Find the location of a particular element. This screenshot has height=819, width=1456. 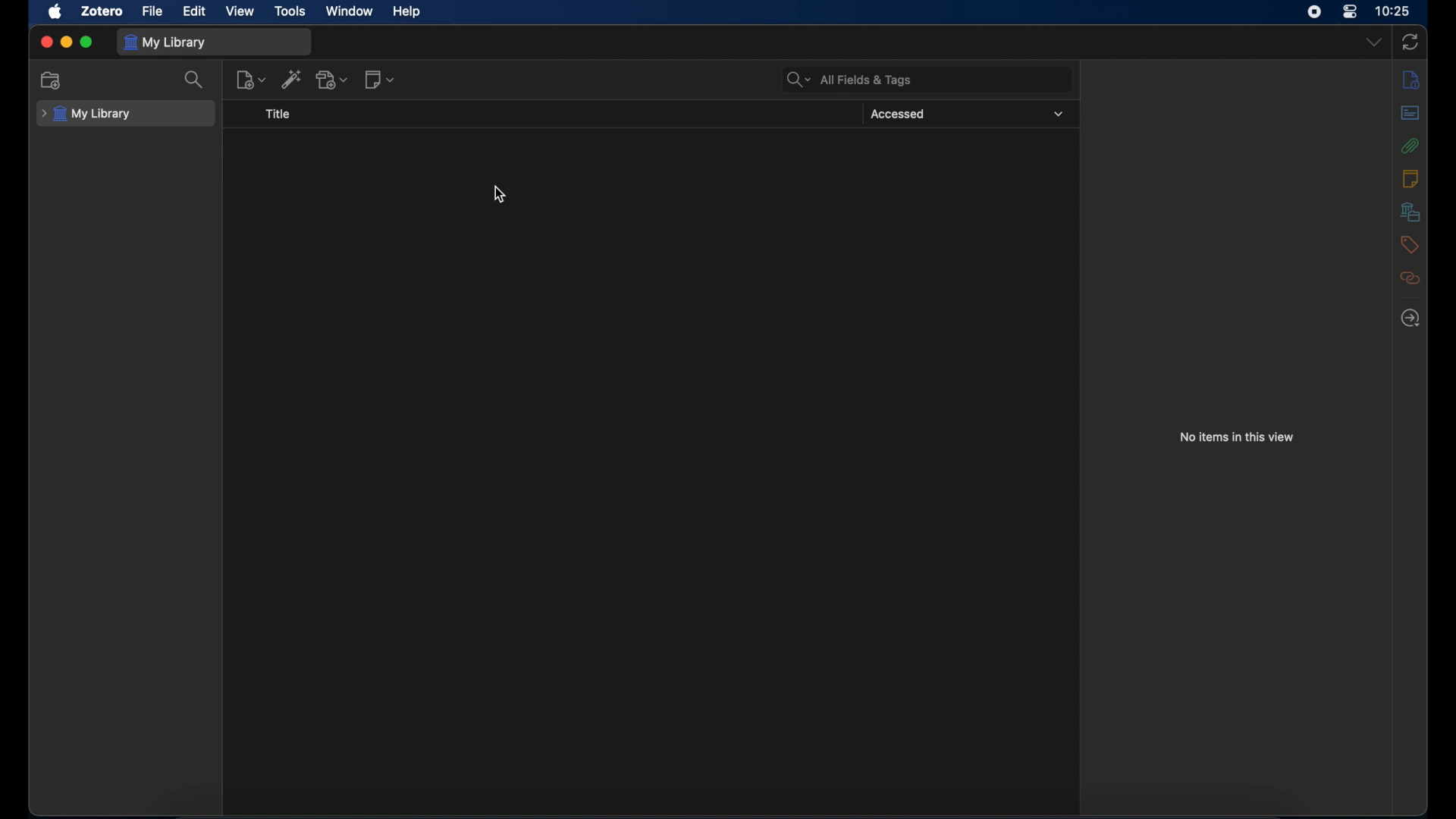

attachments is located at coordinates (1410, 146).